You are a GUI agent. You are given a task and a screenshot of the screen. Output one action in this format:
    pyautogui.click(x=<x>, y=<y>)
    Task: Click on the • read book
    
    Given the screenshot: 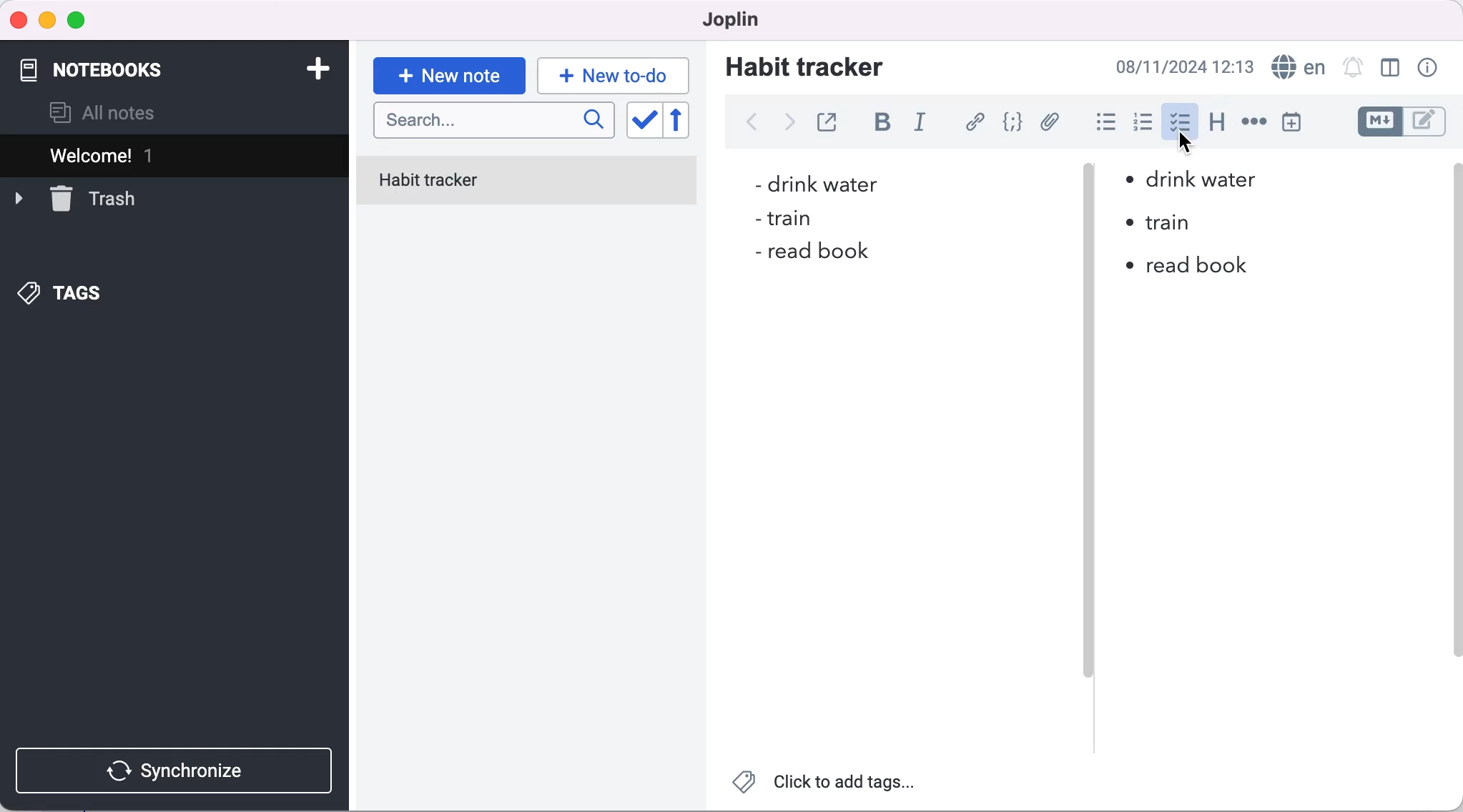 What is the action you would take?
    pyautogui.click(x=1199, y=269)
    